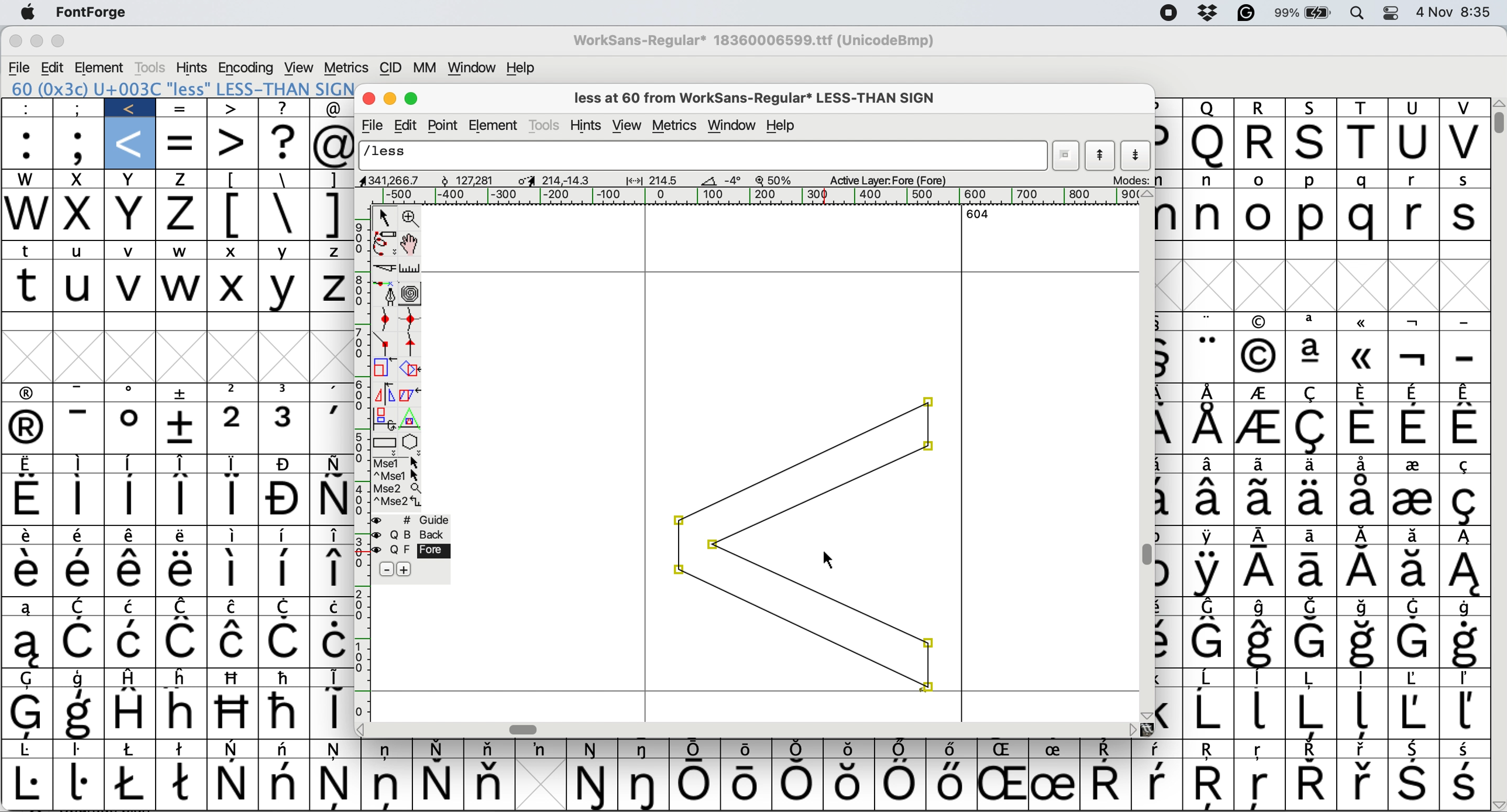  What do you see at coordinates (1208, 679) in the screenshot?
I see `Symbol` at bounding box center [1208, 679].